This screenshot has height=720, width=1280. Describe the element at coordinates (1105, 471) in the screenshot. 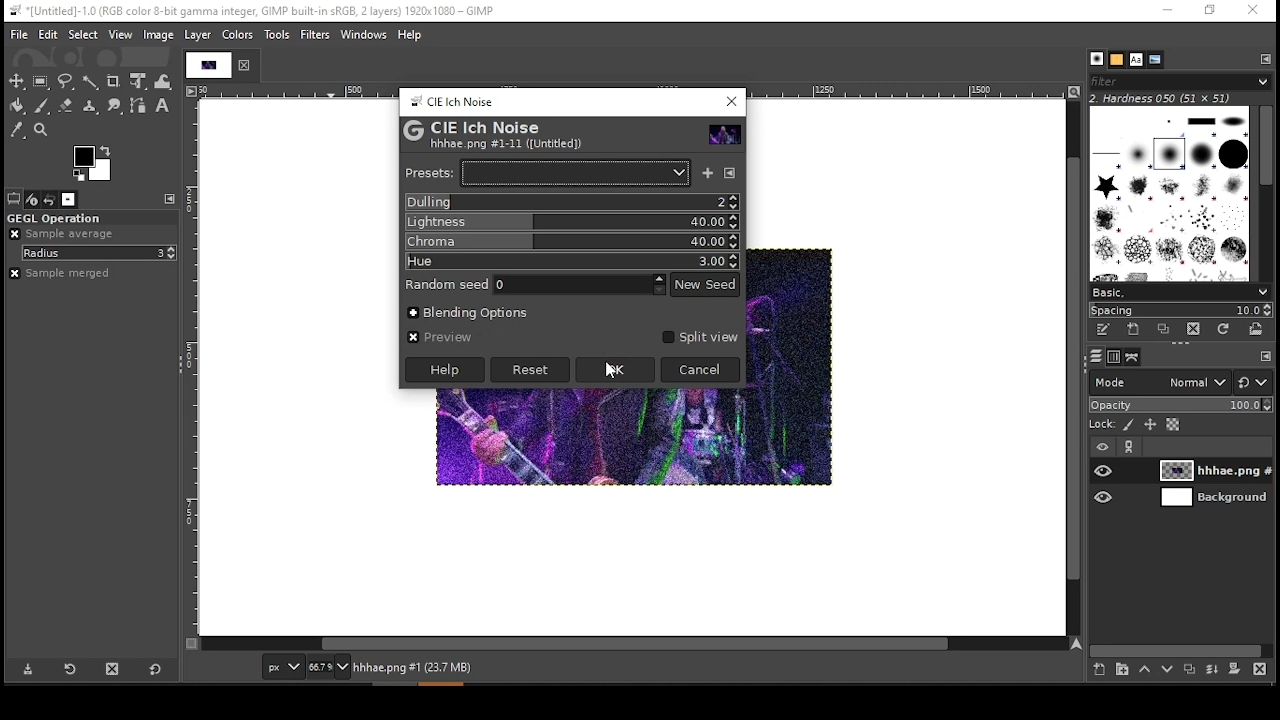

I see `layer visibility on/off` at that location.